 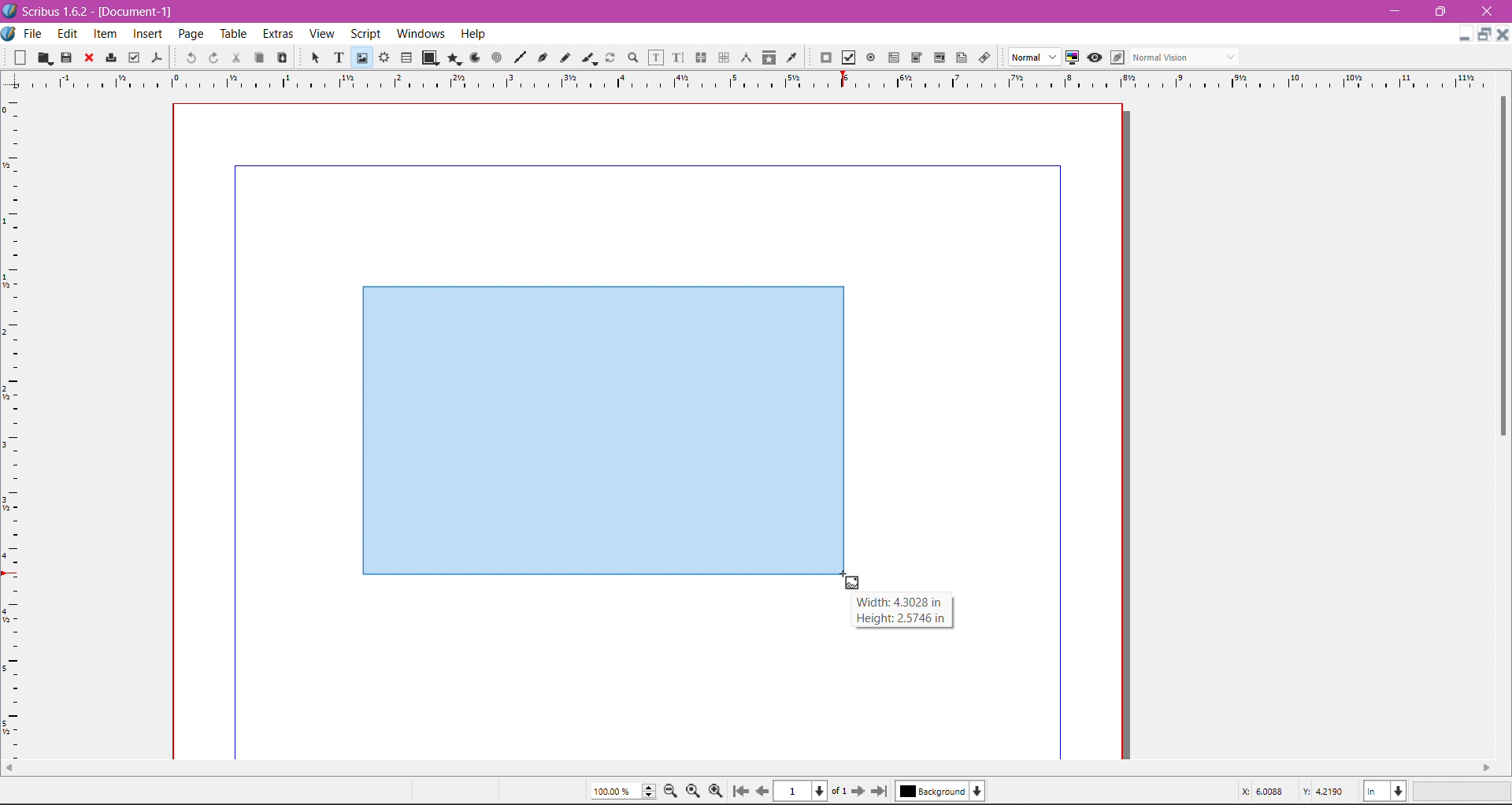 What do you see at coordinates (940, 791) in the screenshot?
I see `Select the current layer` at bounding box center [940, 791].